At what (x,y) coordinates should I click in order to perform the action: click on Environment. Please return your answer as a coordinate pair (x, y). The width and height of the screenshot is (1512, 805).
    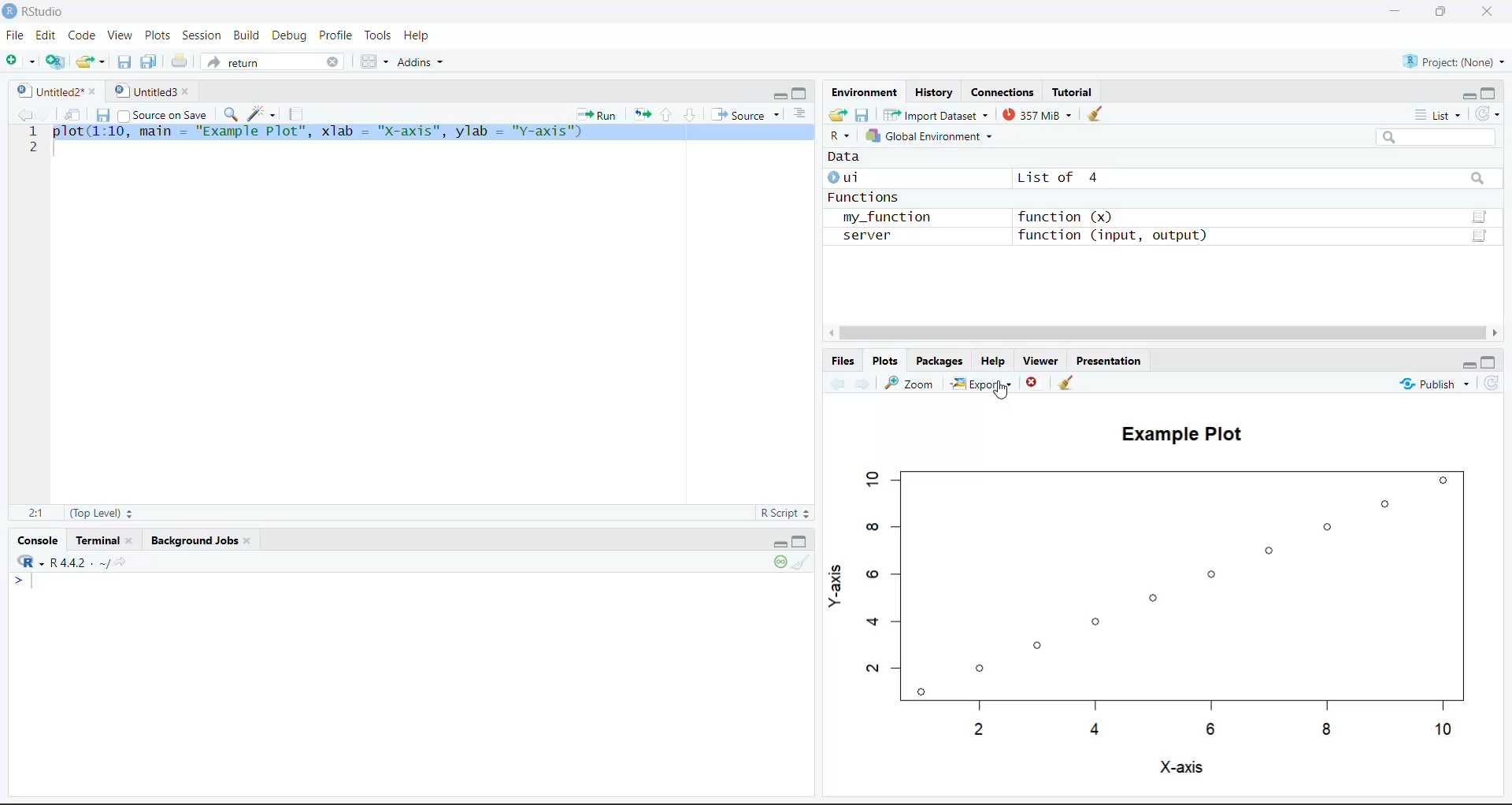
    Looking at the image, I should click on (864, 91).